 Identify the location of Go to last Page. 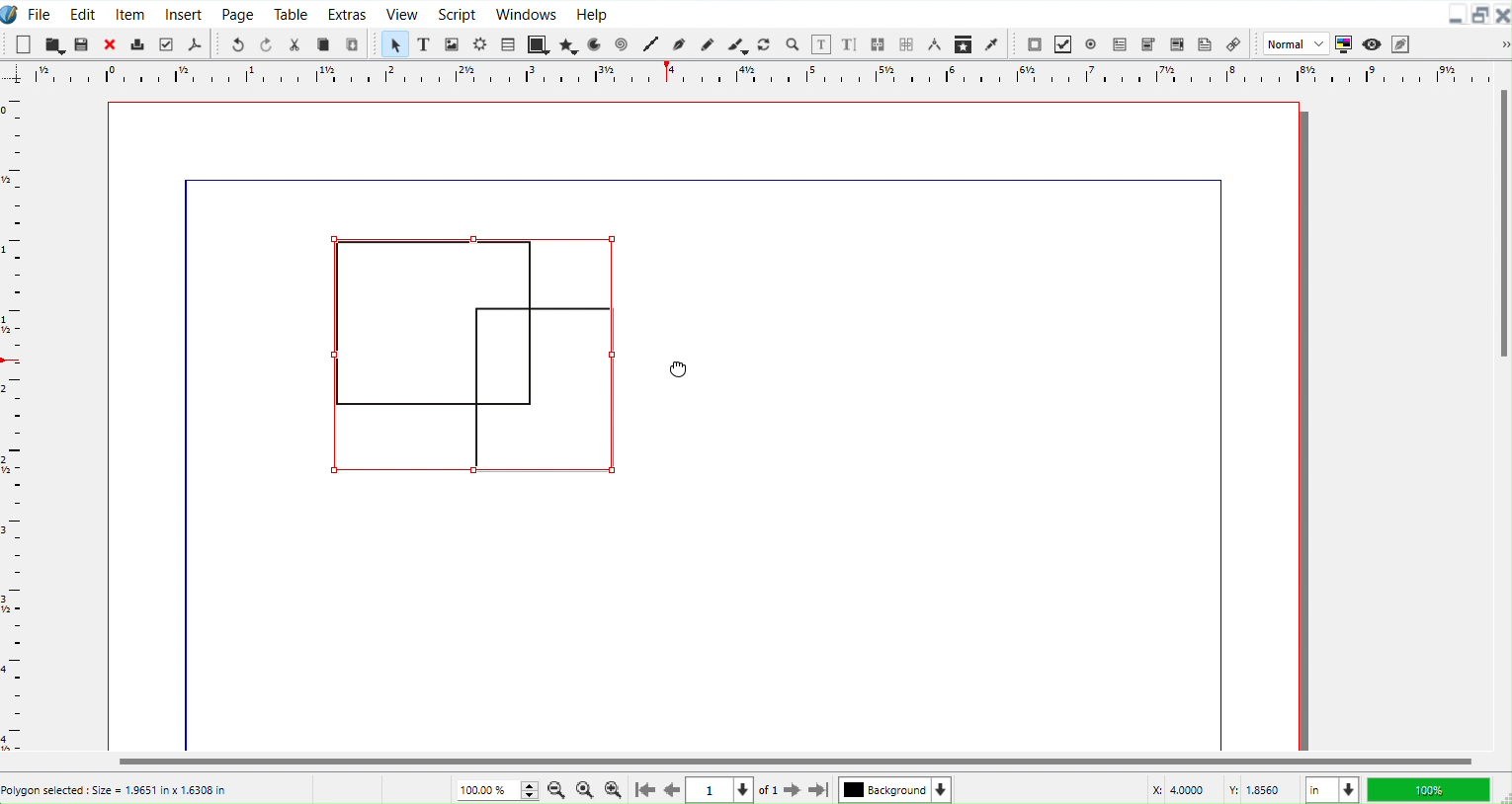
(820, 792).